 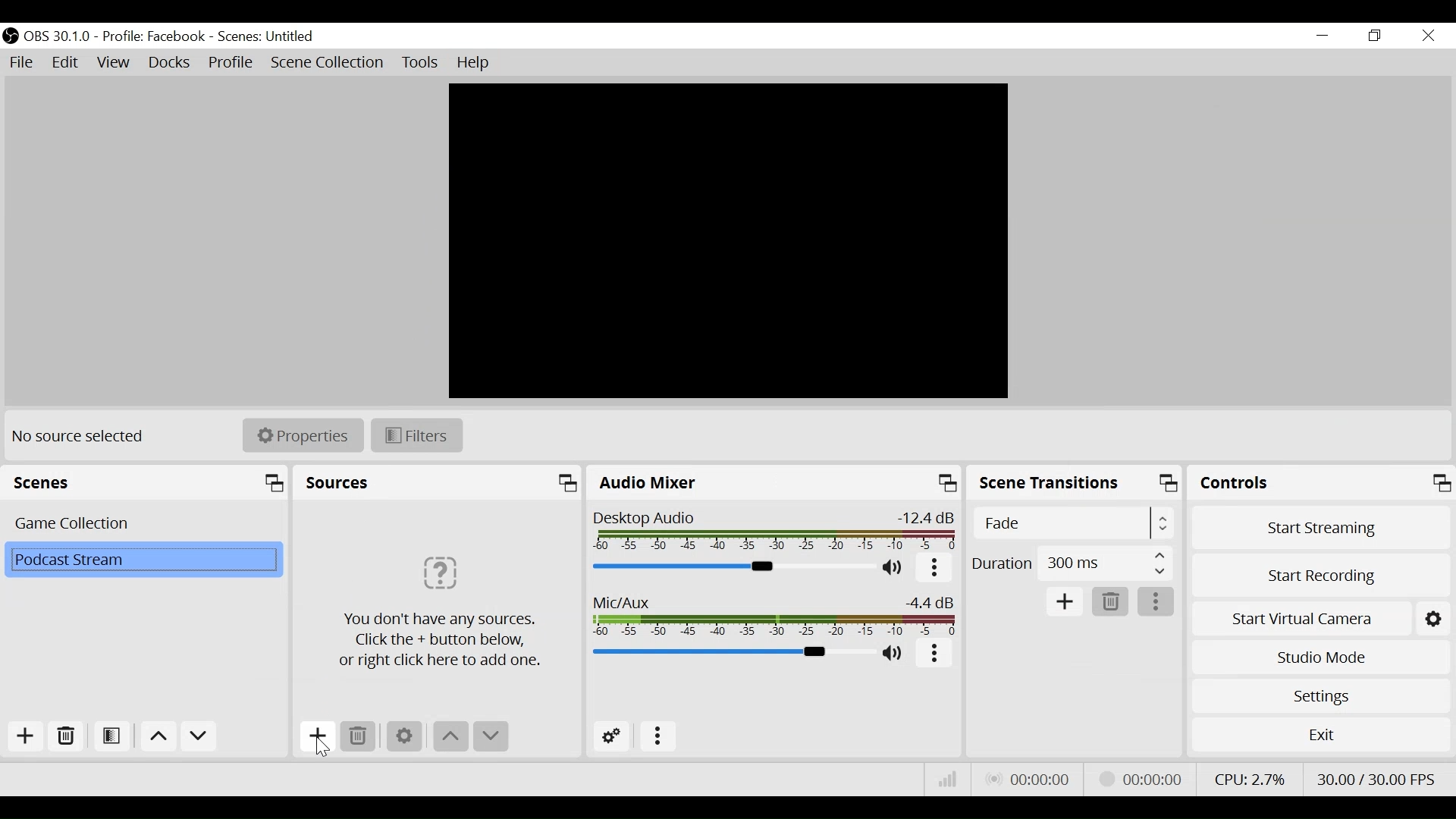 I want to click on Stream Status, so click(x=1144, y=780).